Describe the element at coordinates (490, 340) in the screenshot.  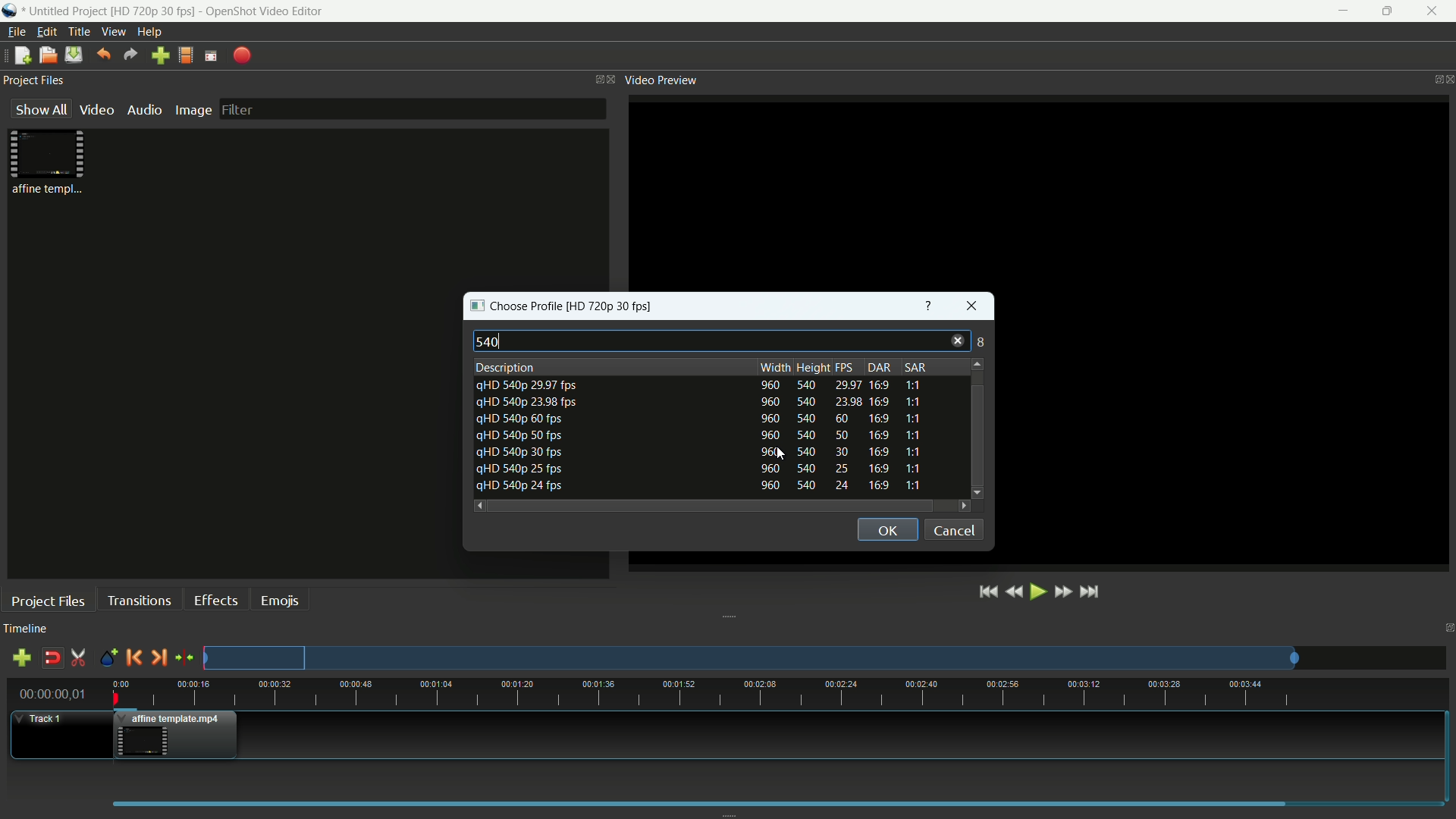
I see `540` at that location.